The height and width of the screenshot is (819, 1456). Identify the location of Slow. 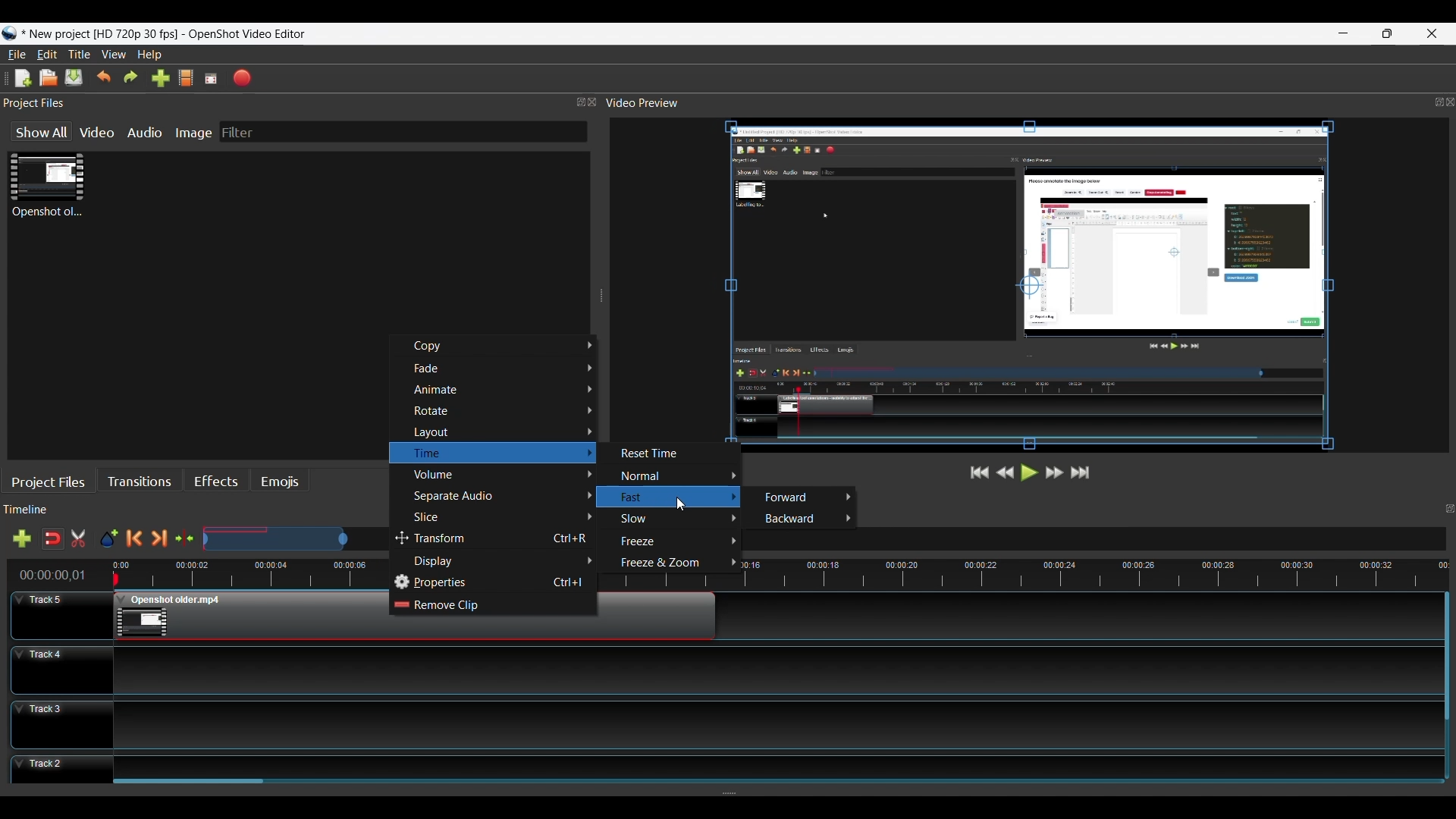
(674, 519).